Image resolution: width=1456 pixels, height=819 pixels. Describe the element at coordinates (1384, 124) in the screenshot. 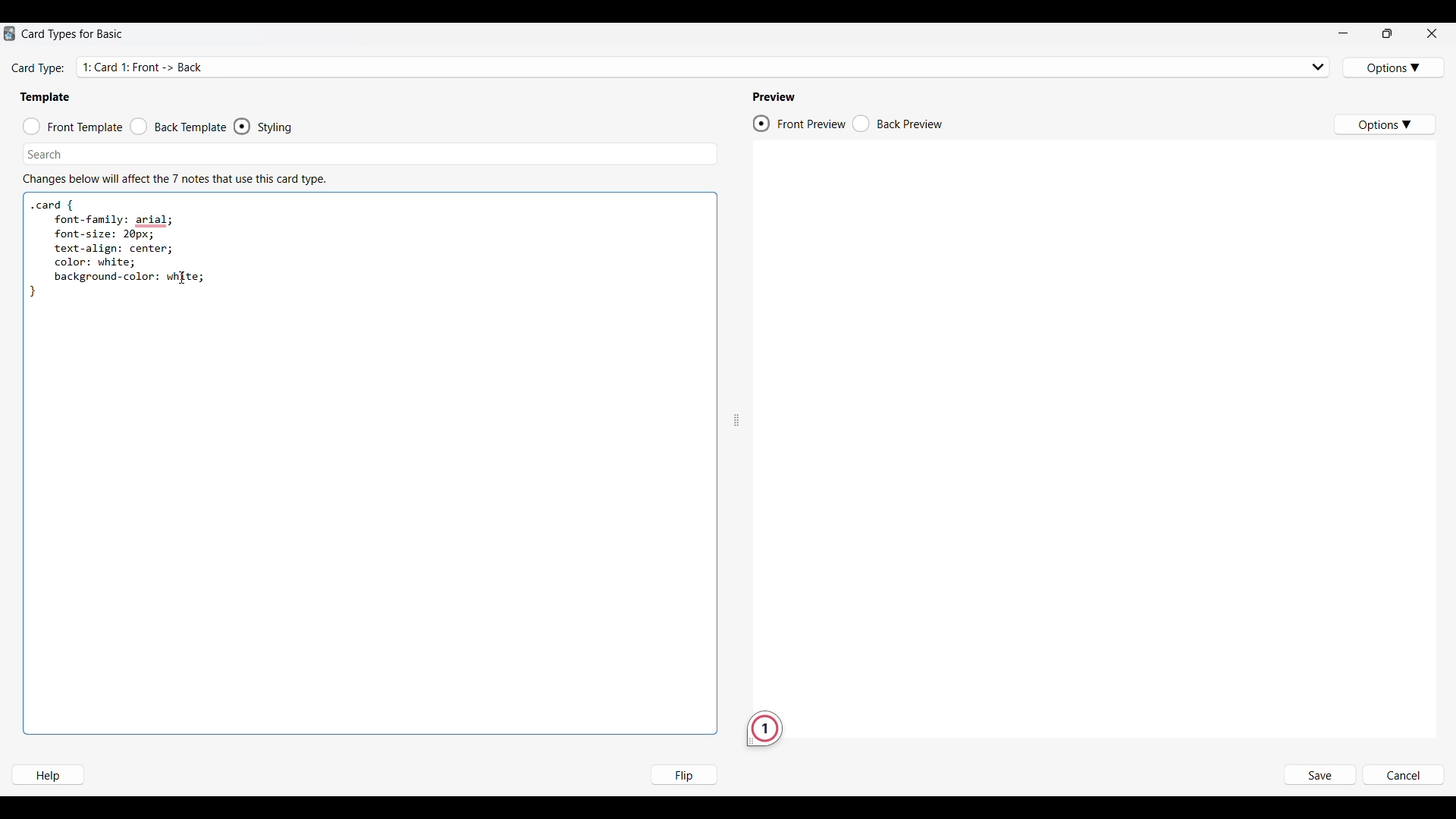

I see `Preview options` at that location.